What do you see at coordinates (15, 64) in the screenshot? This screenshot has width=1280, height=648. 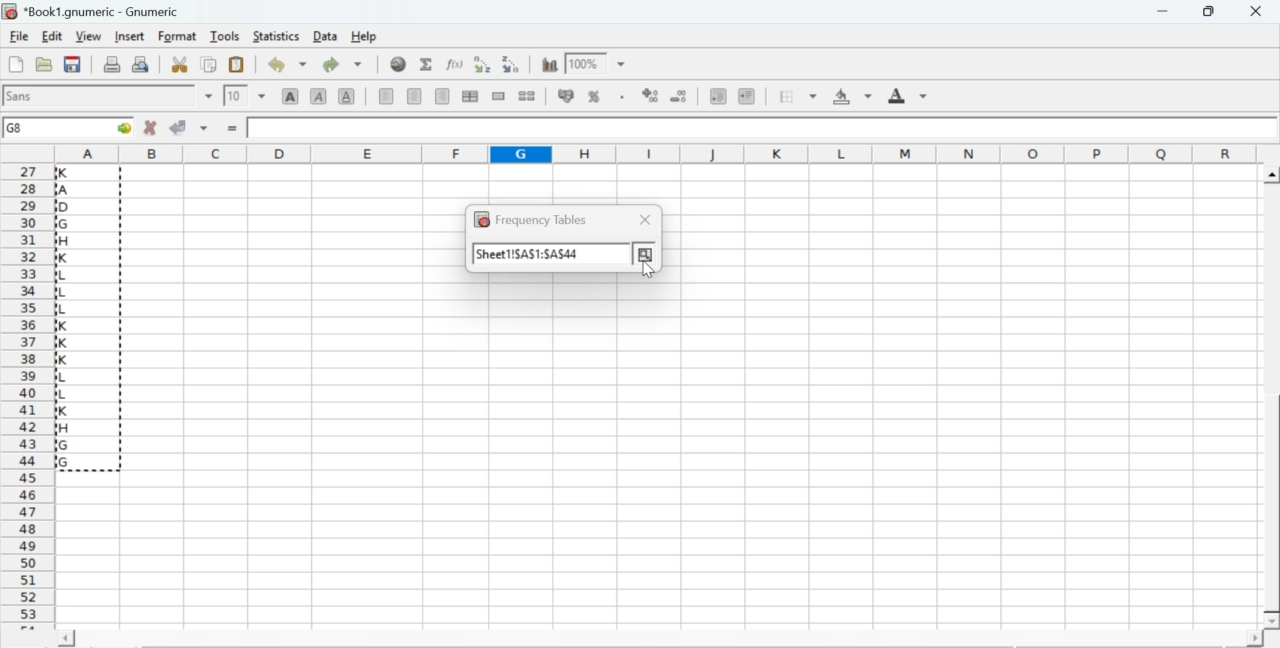 I see `new` at bounding box center [15, 64].